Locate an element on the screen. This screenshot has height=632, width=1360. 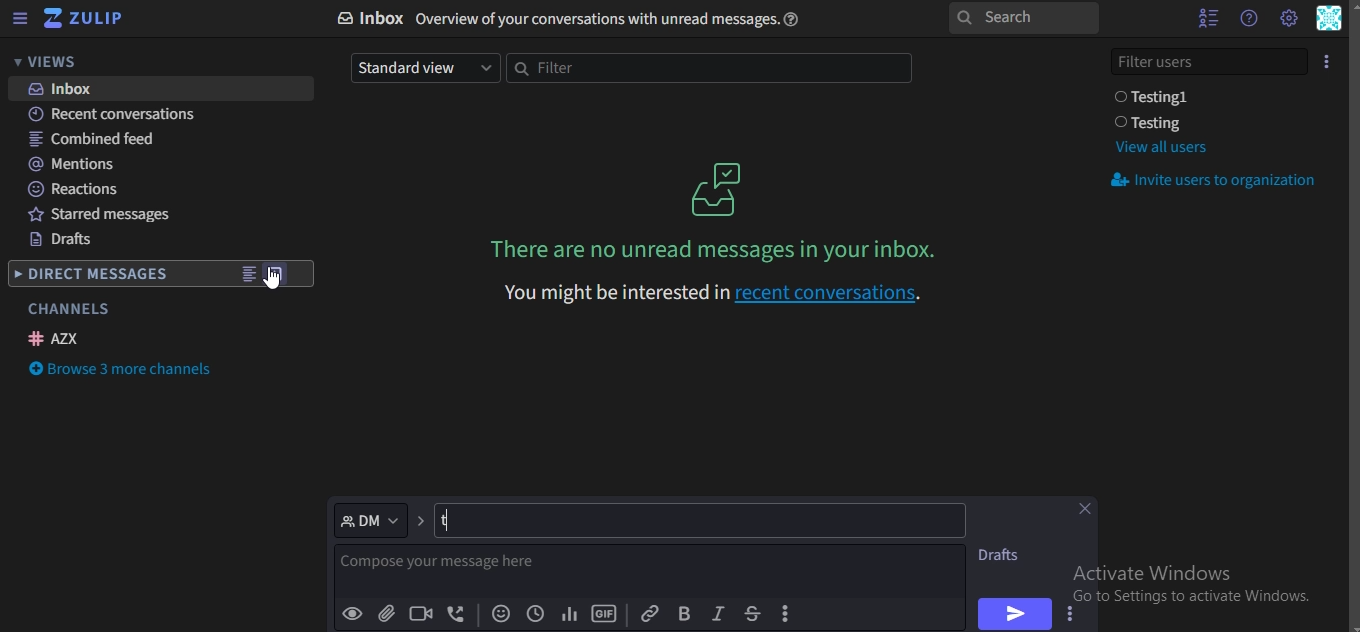
Add poll is located at coordinates (569, 615).